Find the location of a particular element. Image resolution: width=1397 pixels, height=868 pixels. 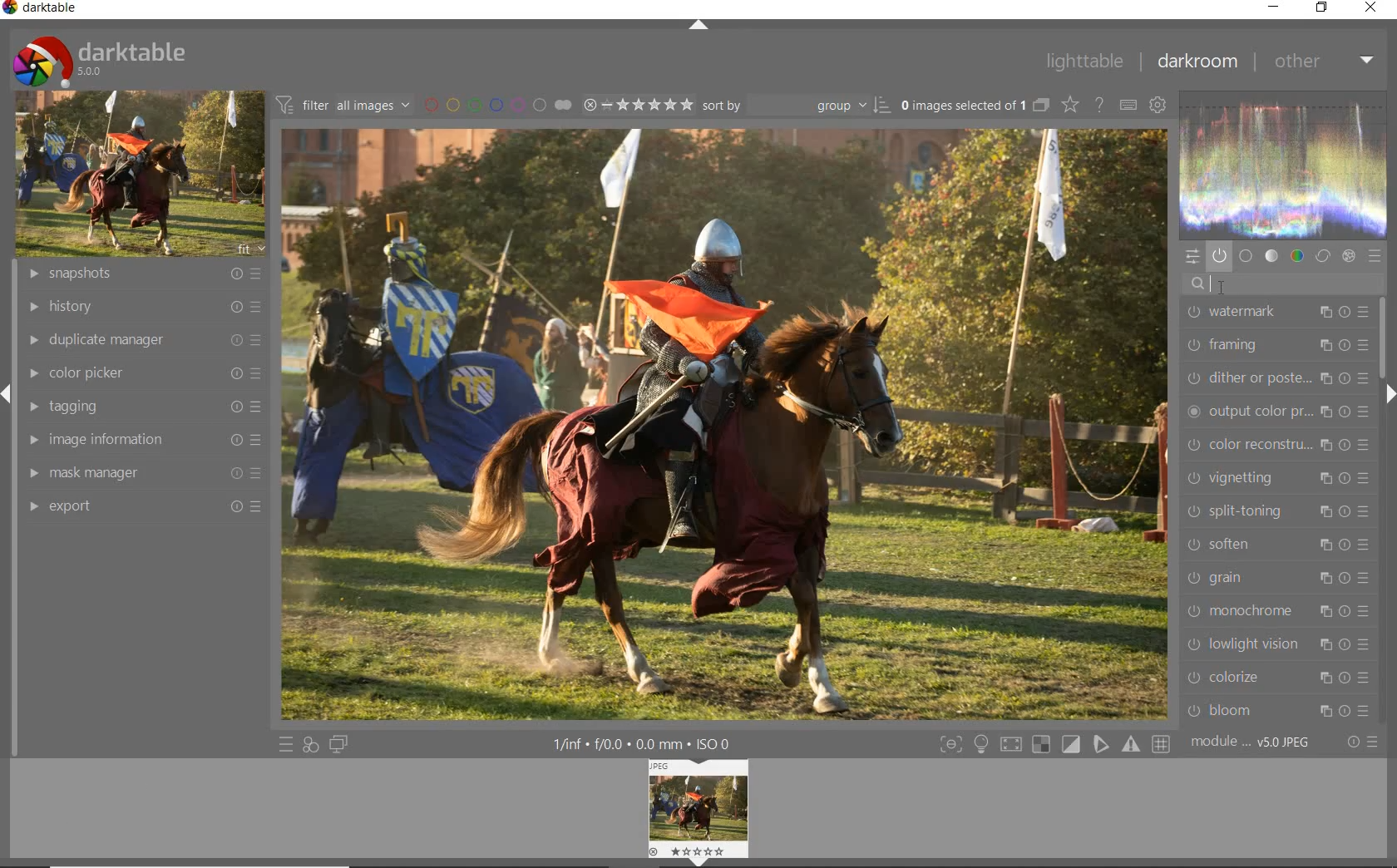

correct is located at coordinates (1323, 256).